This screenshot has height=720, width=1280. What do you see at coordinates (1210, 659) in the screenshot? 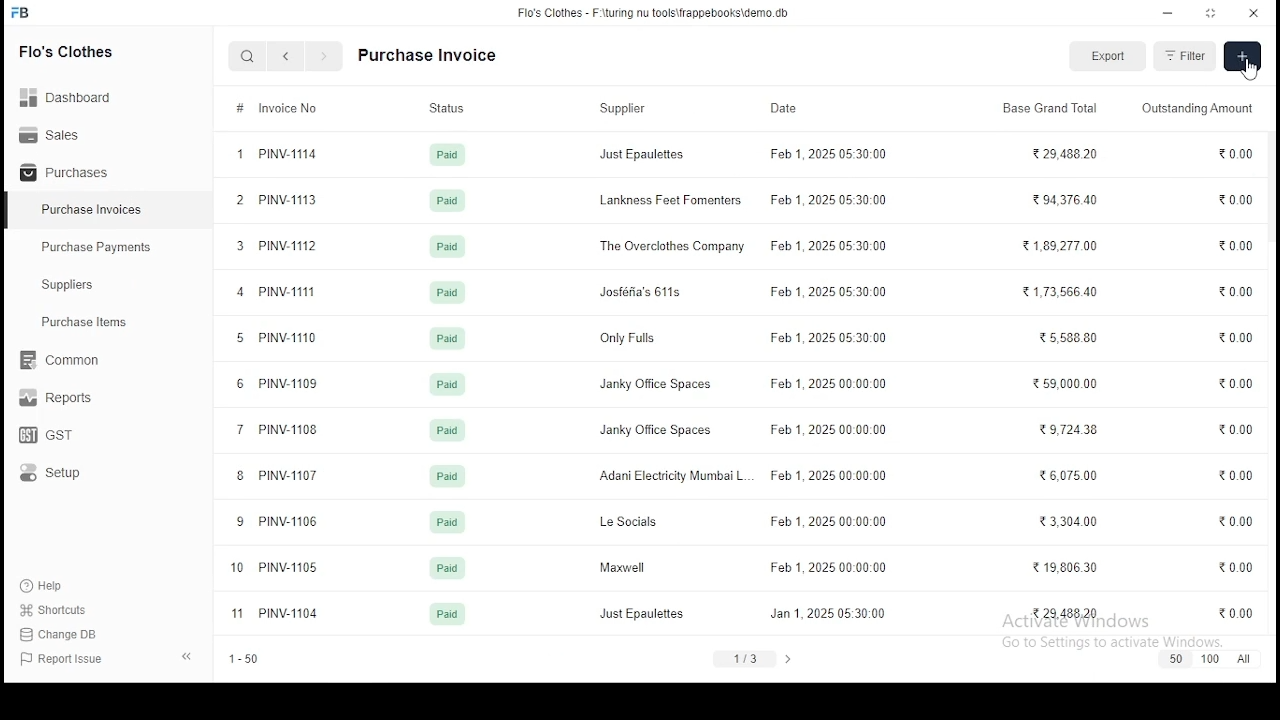
I see `100` at bounding box center [1210, 659].